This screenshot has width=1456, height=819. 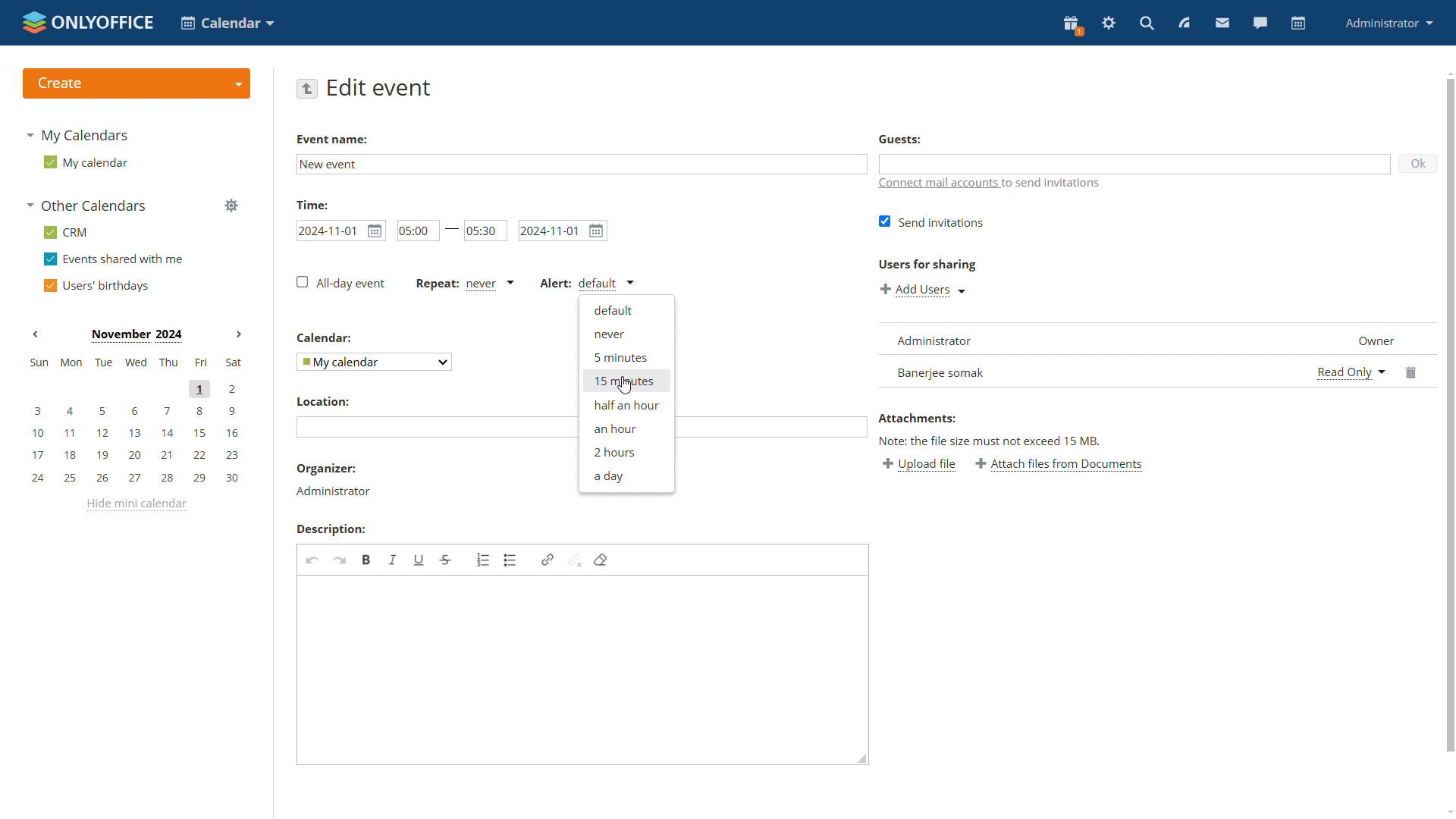 What do you see at coordinates (313, 561) in the screenshot?
I see `undo` at bounding box center [313, 561].